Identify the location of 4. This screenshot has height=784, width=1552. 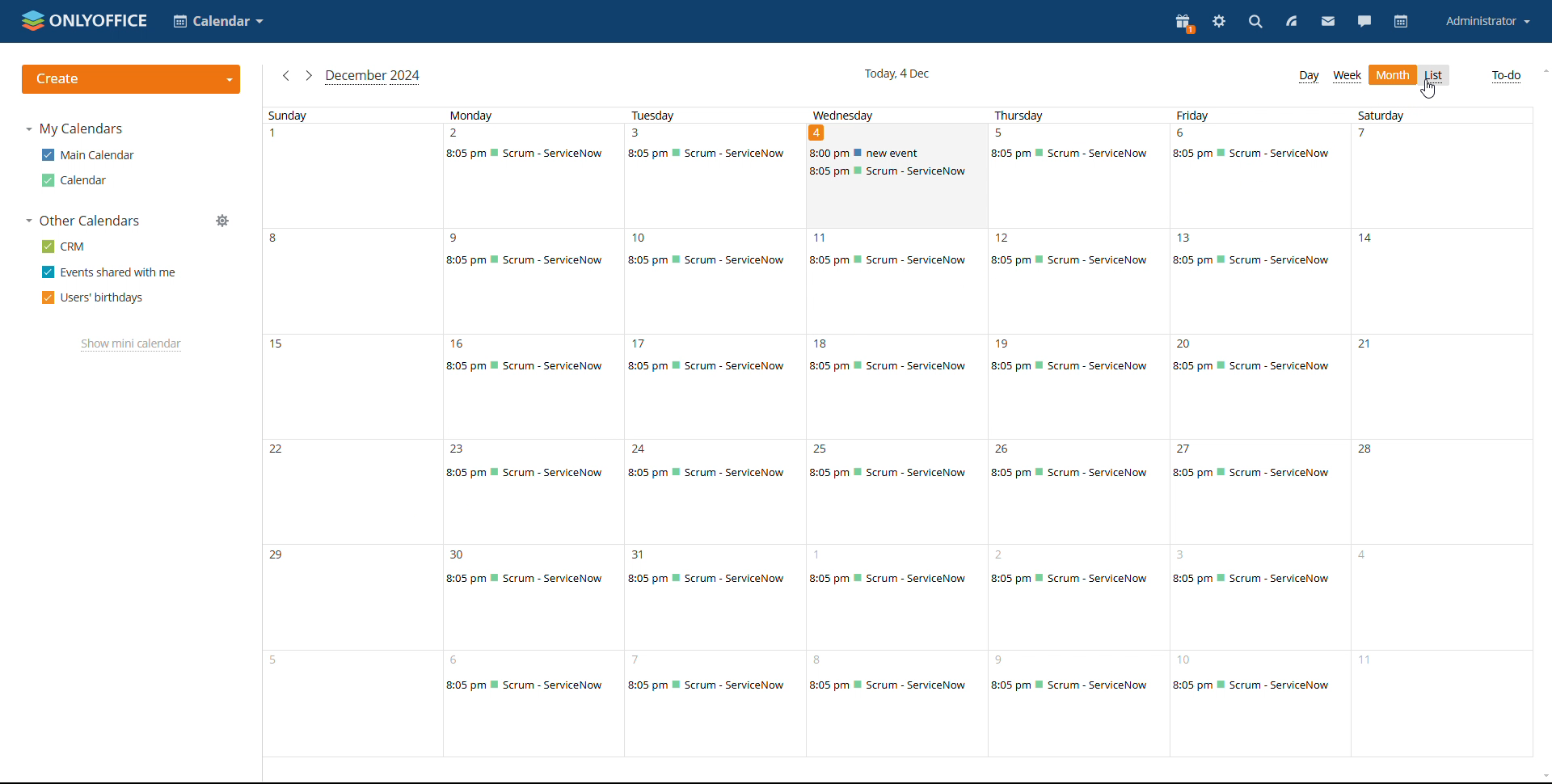
(816, 133).